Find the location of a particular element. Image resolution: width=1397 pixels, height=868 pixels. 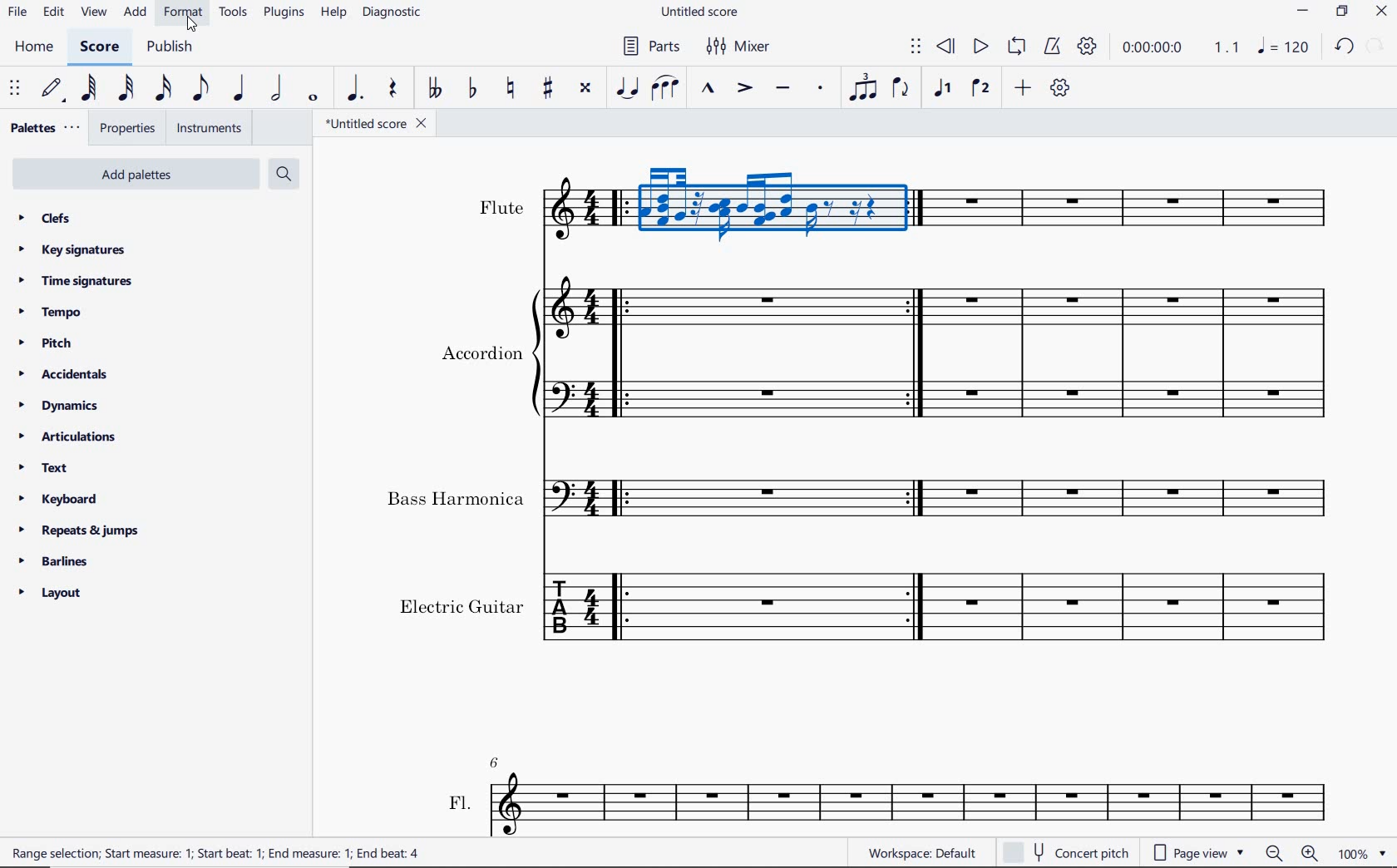

flip direction is located at coordinates (901, 89).